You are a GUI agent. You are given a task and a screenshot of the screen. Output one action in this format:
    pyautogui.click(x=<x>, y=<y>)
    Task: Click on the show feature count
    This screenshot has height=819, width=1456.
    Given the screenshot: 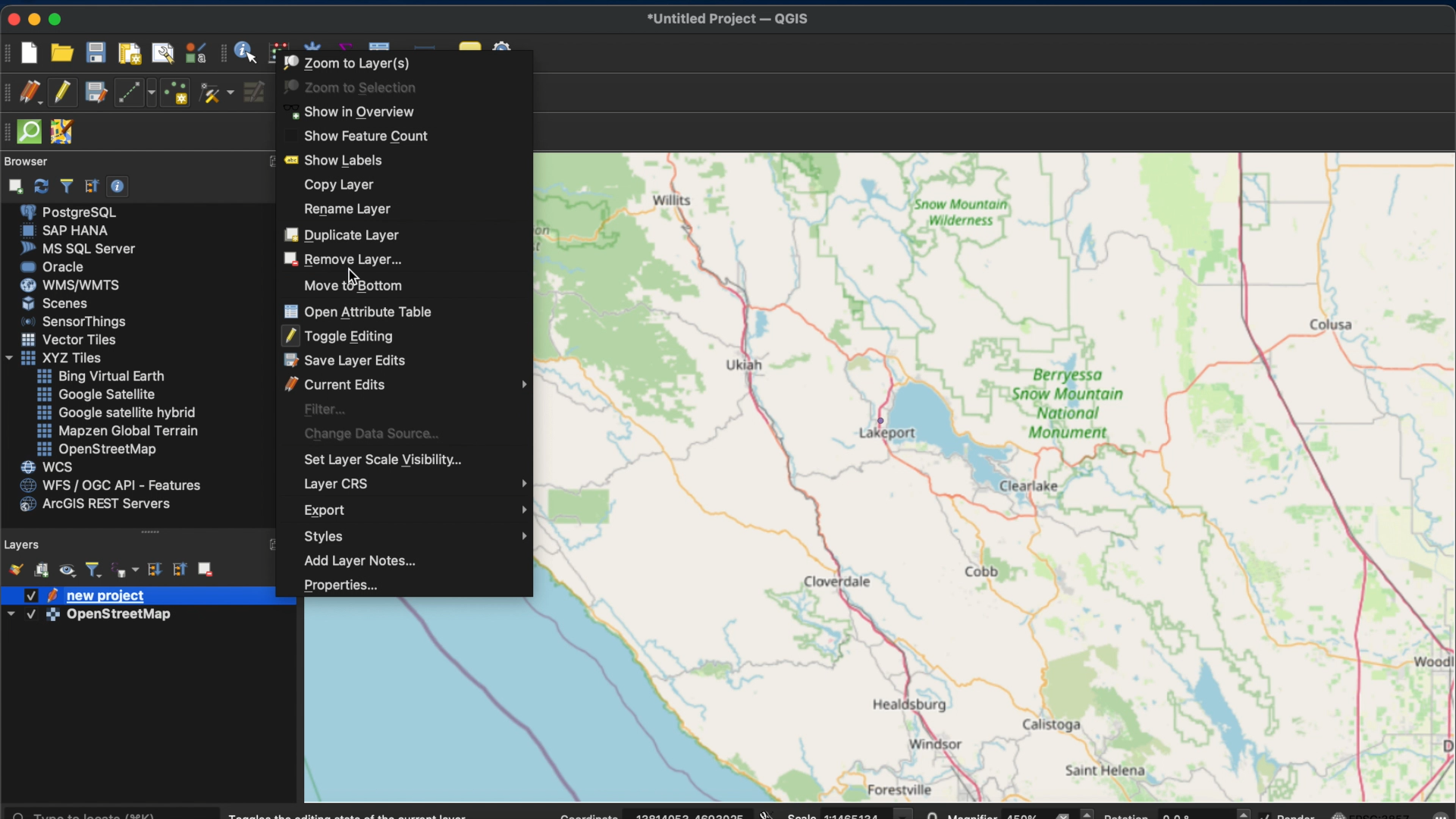 What is the action you would take?
    pyautogui.click(x=362, y=136)
    